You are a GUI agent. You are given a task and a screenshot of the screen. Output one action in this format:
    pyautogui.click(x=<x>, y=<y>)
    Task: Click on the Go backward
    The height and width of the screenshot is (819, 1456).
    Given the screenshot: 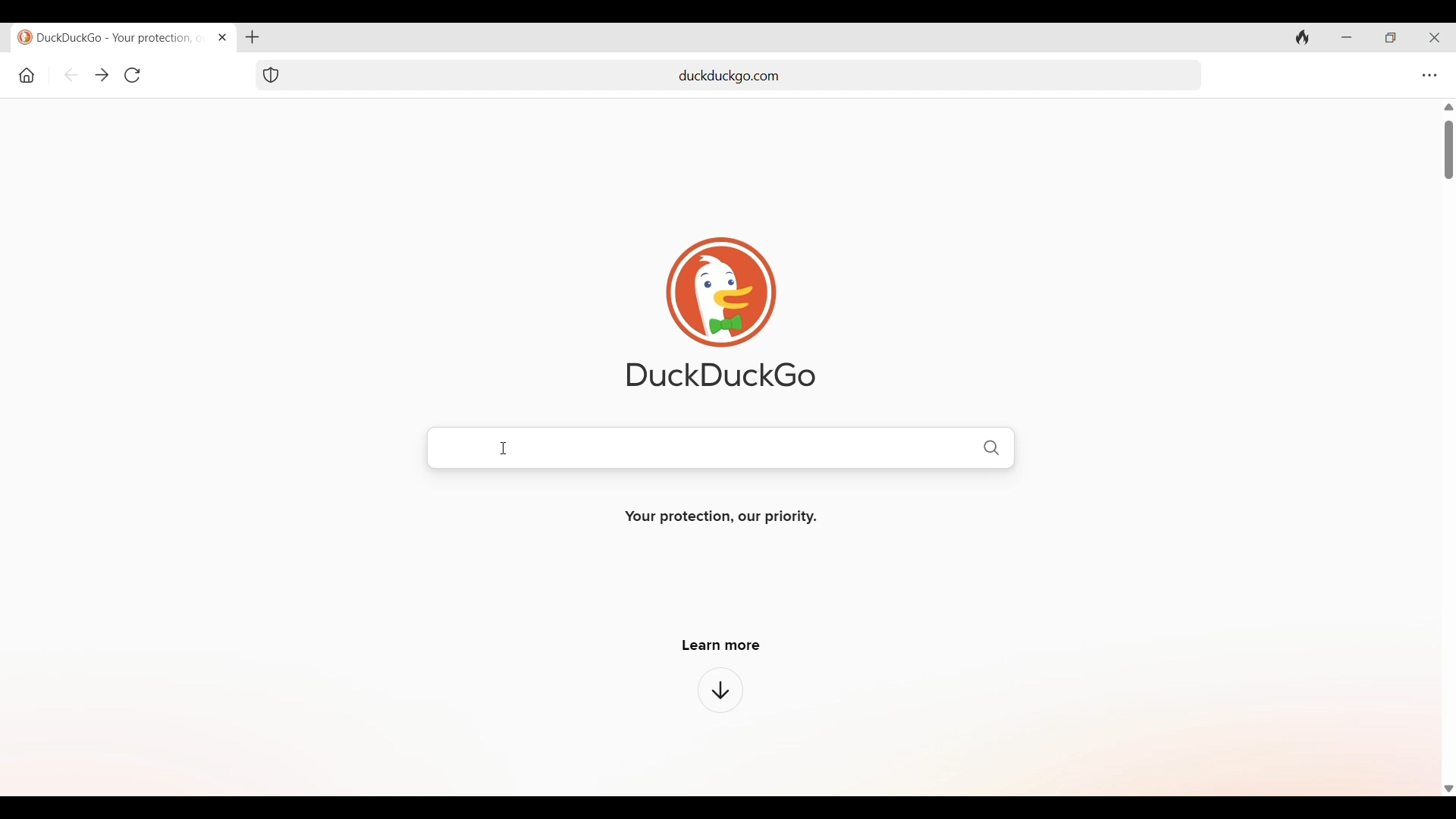 What is the action you would take?
    pyautogui.click(x=101, y=74)
    